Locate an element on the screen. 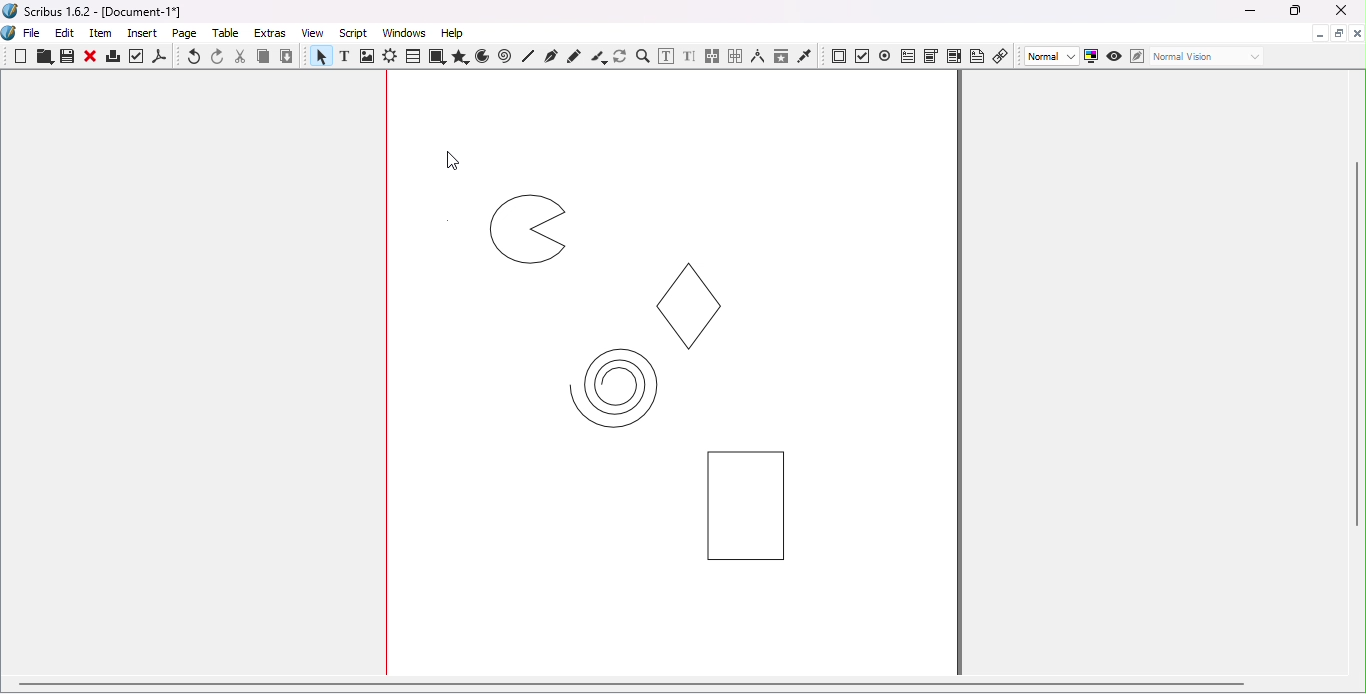 This screenshot has width=1366, height=694. Close is located at coordinates (1337, 12).